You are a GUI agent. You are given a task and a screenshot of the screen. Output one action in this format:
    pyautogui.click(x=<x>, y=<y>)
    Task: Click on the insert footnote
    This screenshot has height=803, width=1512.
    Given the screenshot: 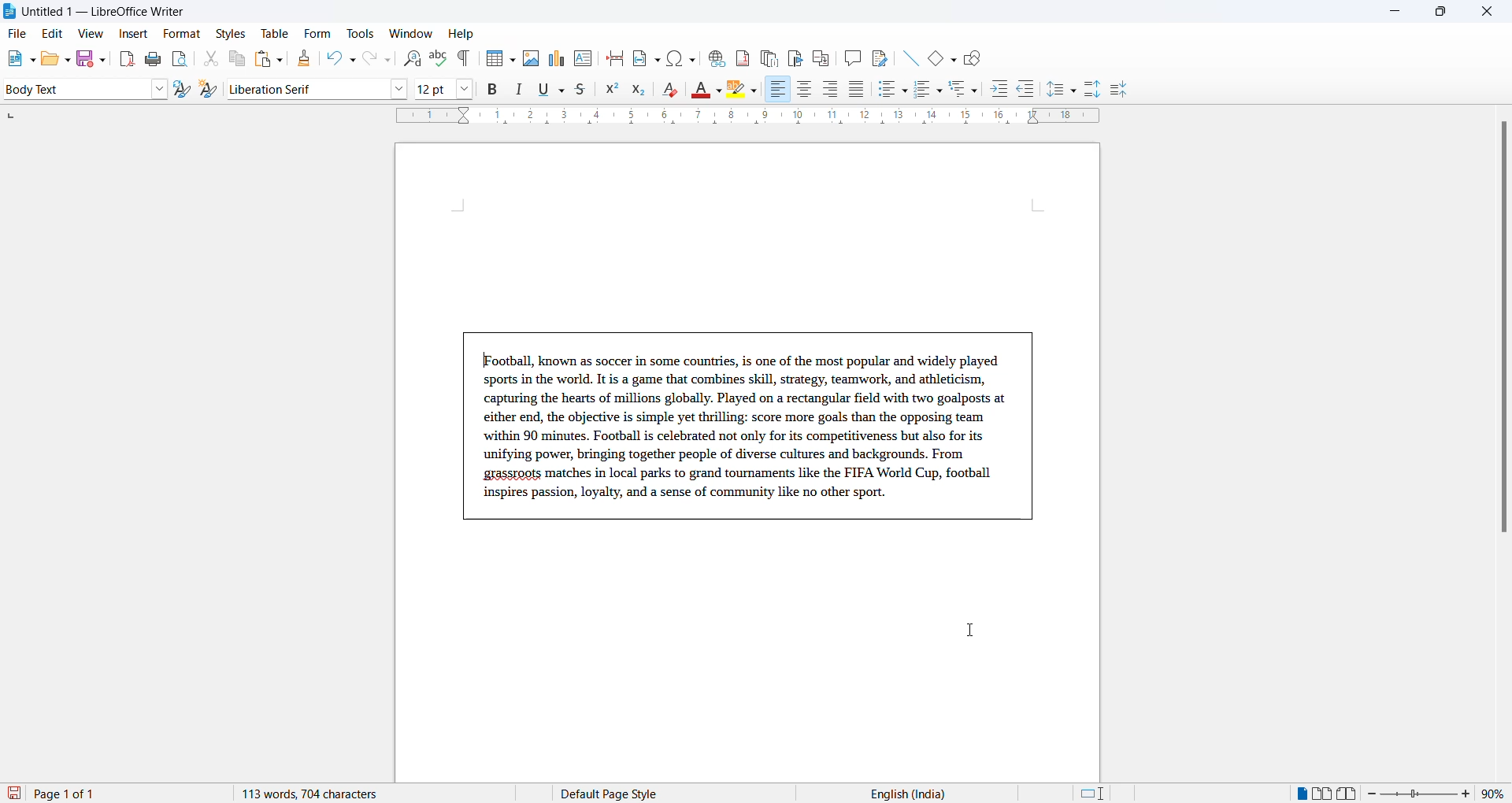 What is the action you would take?
    pyautogui.click(x=739, y=55)
    